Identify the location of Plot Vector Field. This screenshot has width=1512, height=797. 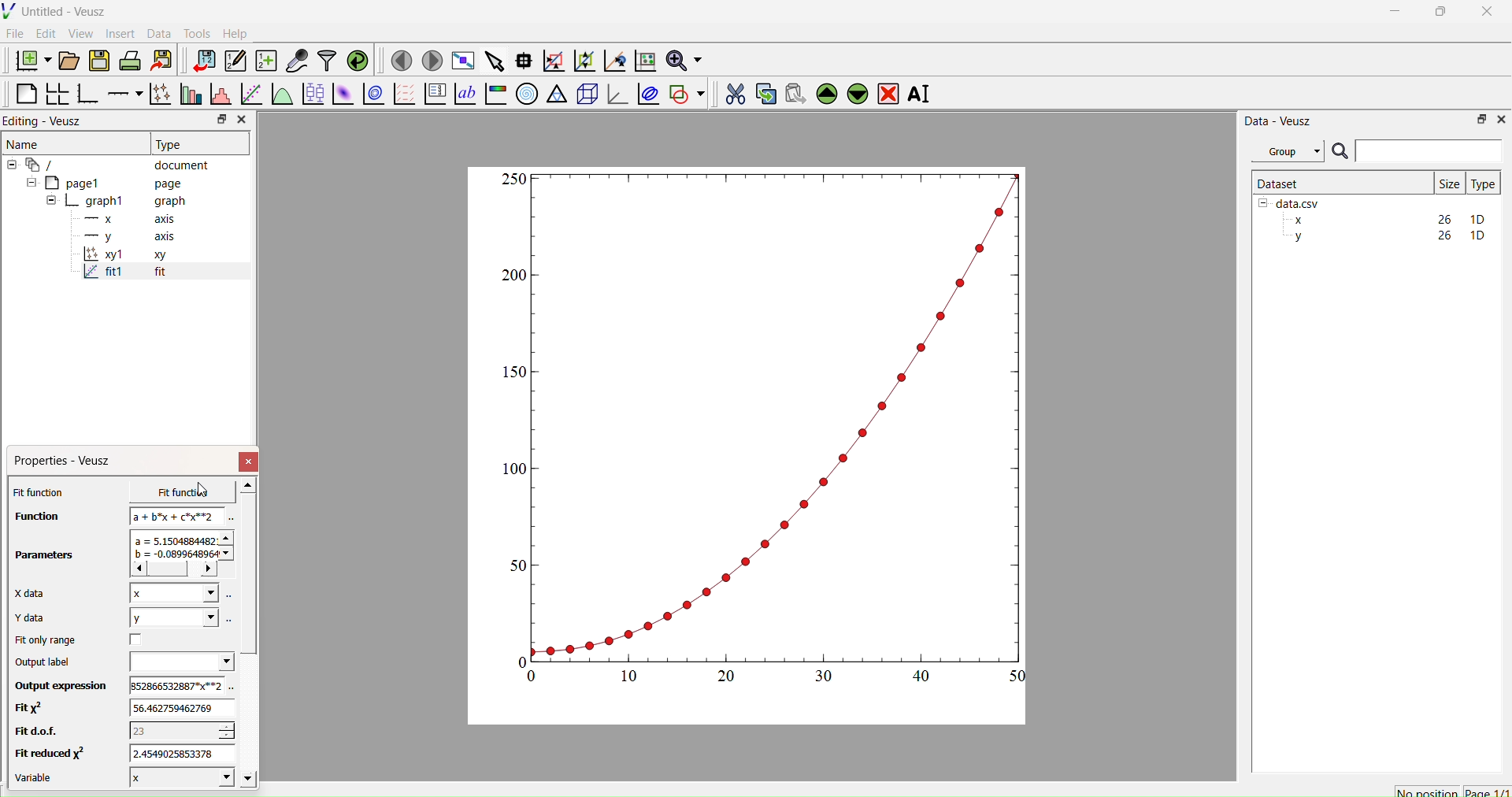
(404, 95).